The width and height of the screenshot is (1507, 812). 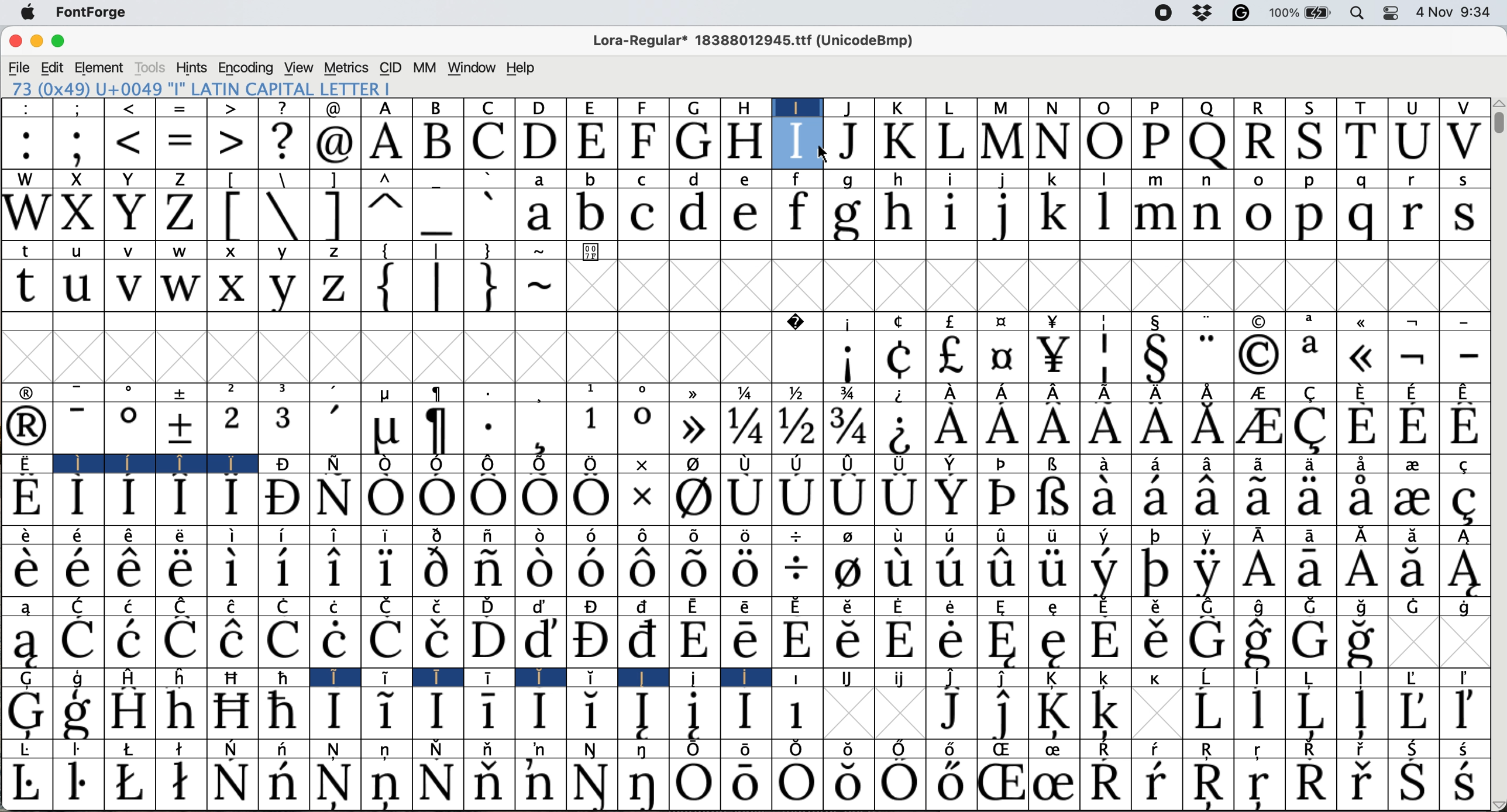 I want to click on Symbol, so click(x=25, y=642).